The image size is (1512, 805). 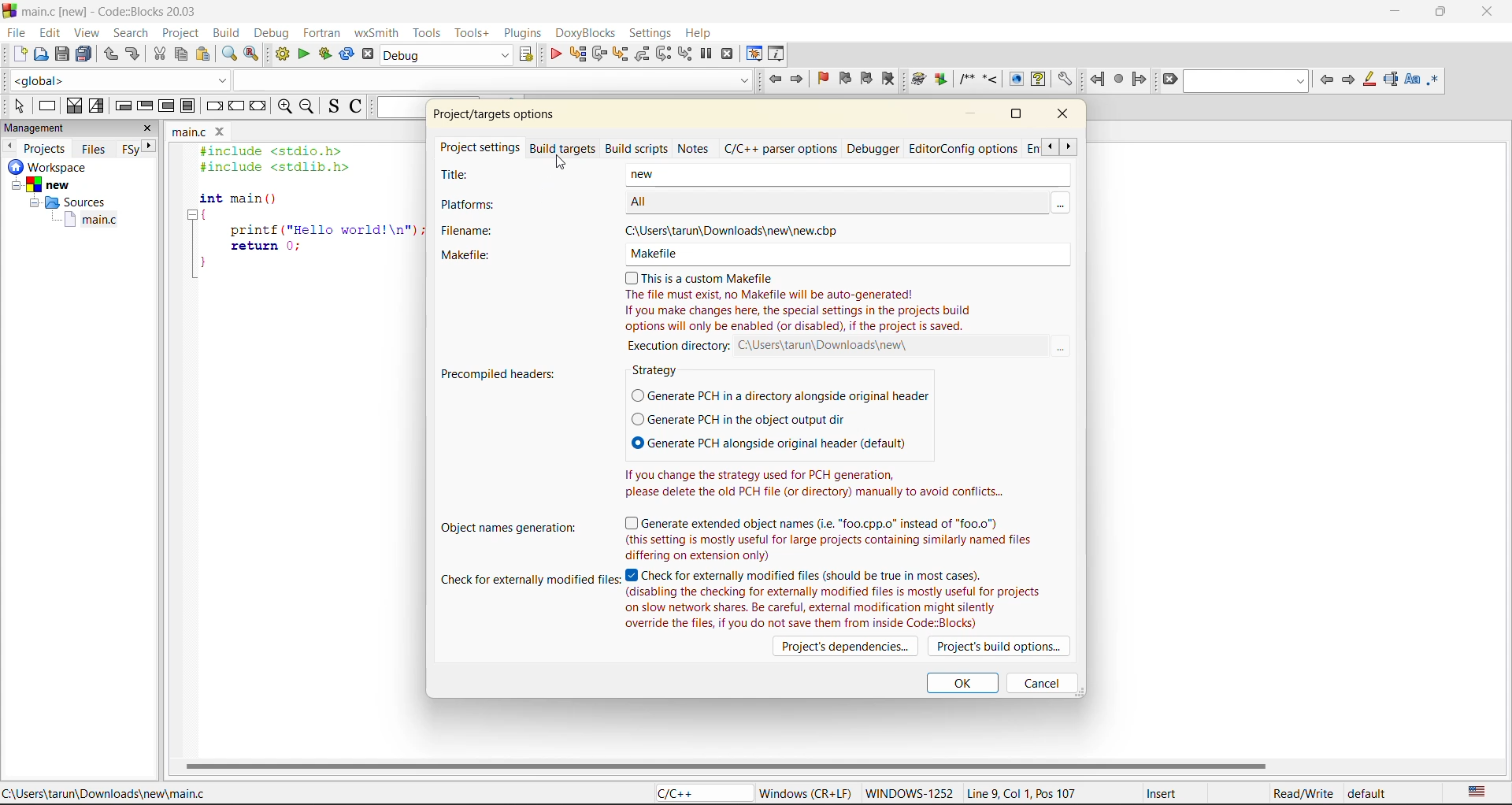 What do you see at coordinates (833, 608) in the screenshot?
I see `(disabling the checking for externally modified files is mostly useful for projects
on slow network shares. Be careful, external modification might silently
override the files, if you do not save them from inside Code=Blocks)` at bounding box center [833, 608].